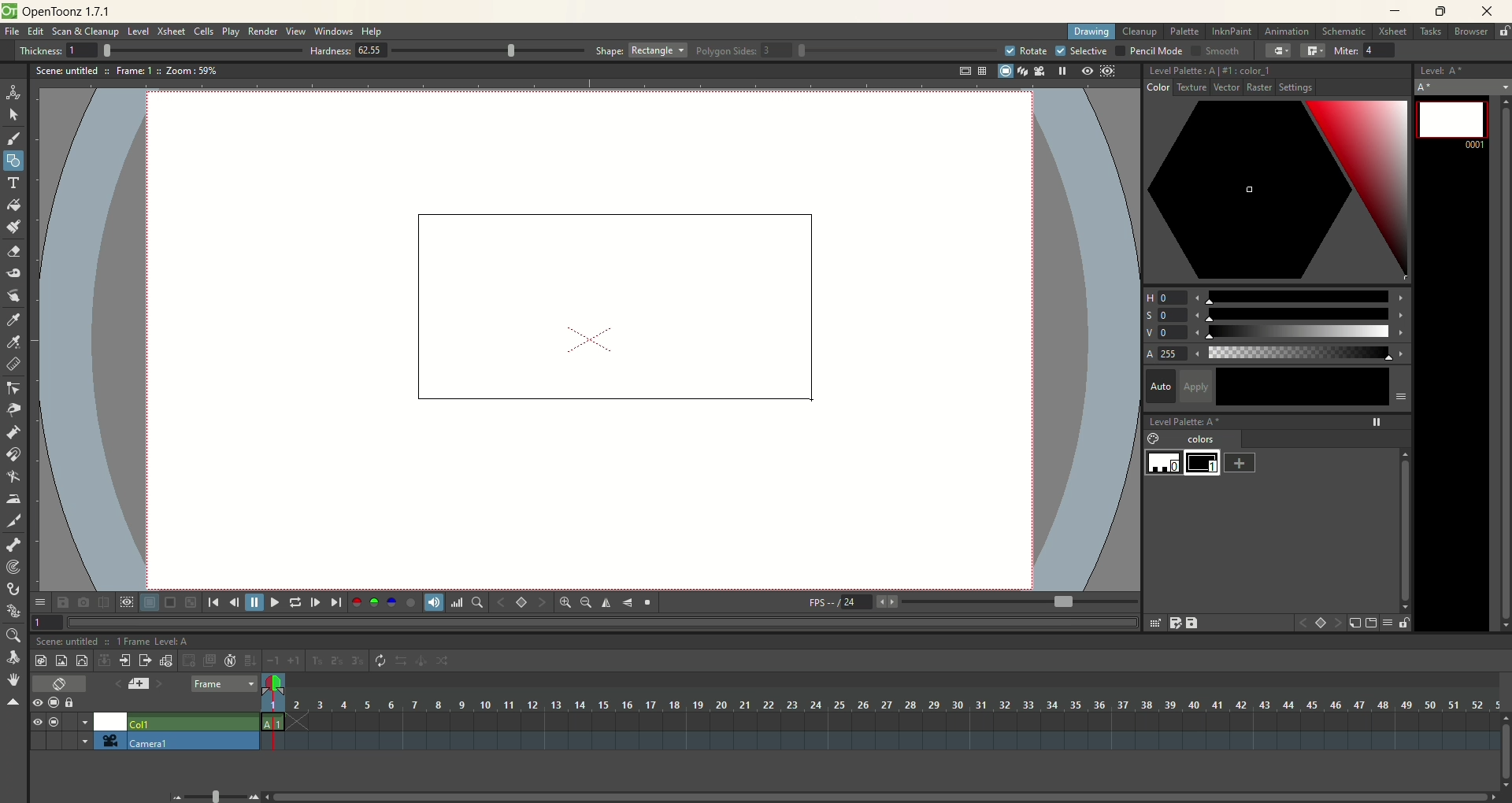 The height and width of the screenshot is (803, 1512). Describe the element at coordinates (146, 661) in the screenshot. I see `close sub-Xsheet` at that location.